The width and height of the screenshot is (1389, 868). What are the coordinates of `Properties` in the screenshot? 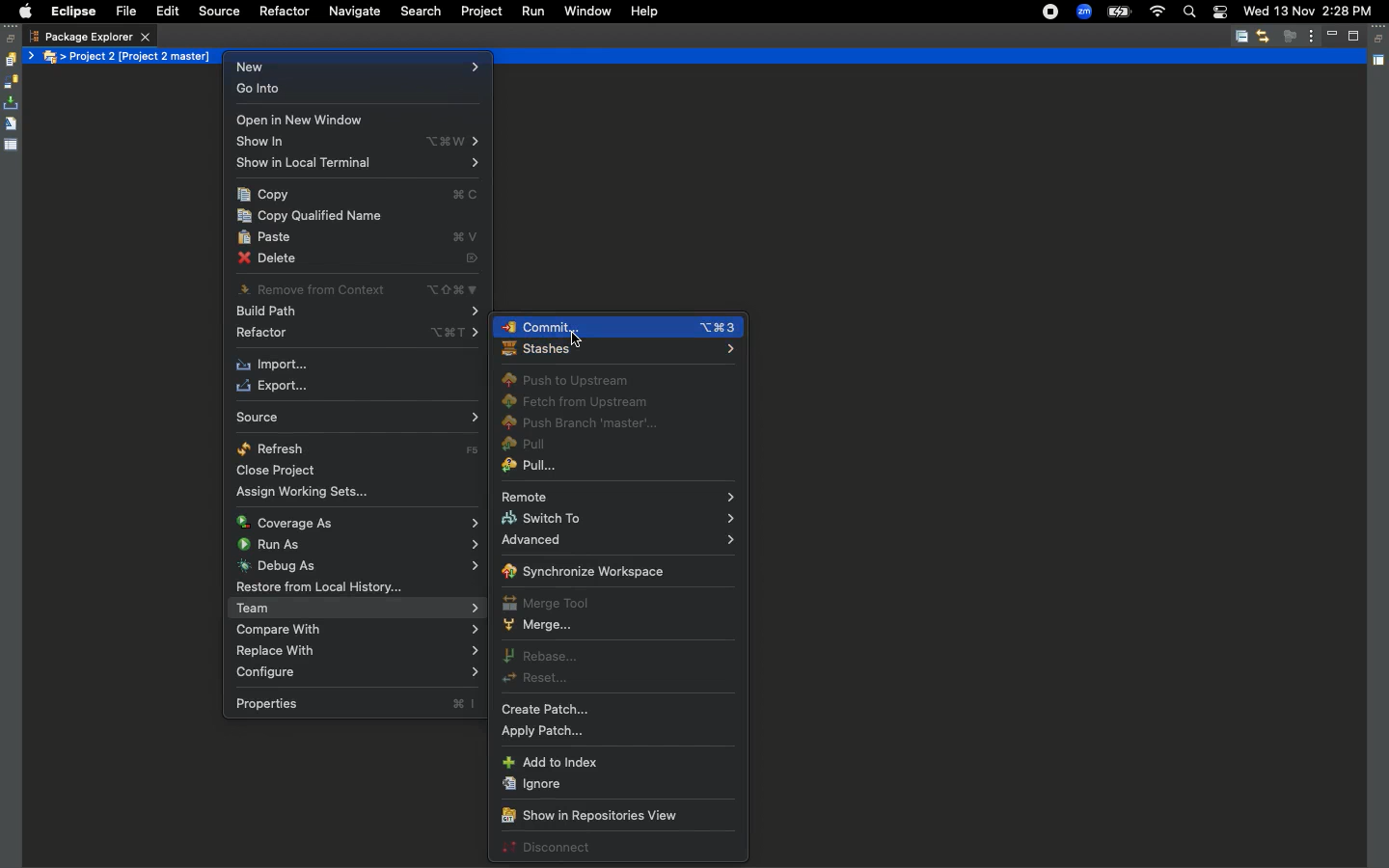 It's located at (357, 704).